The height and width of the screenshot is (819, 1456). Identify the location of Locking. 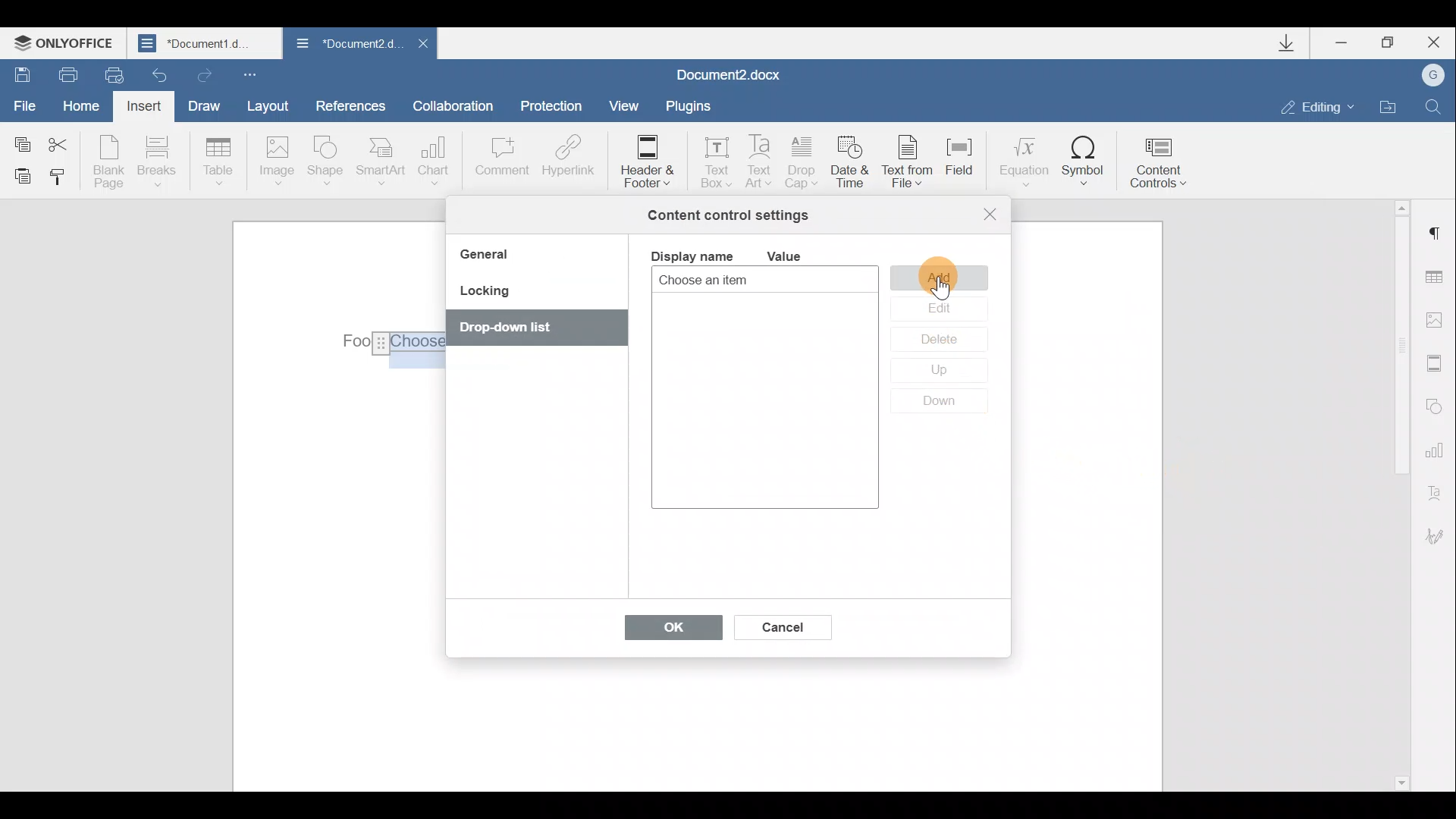
(484, 296).